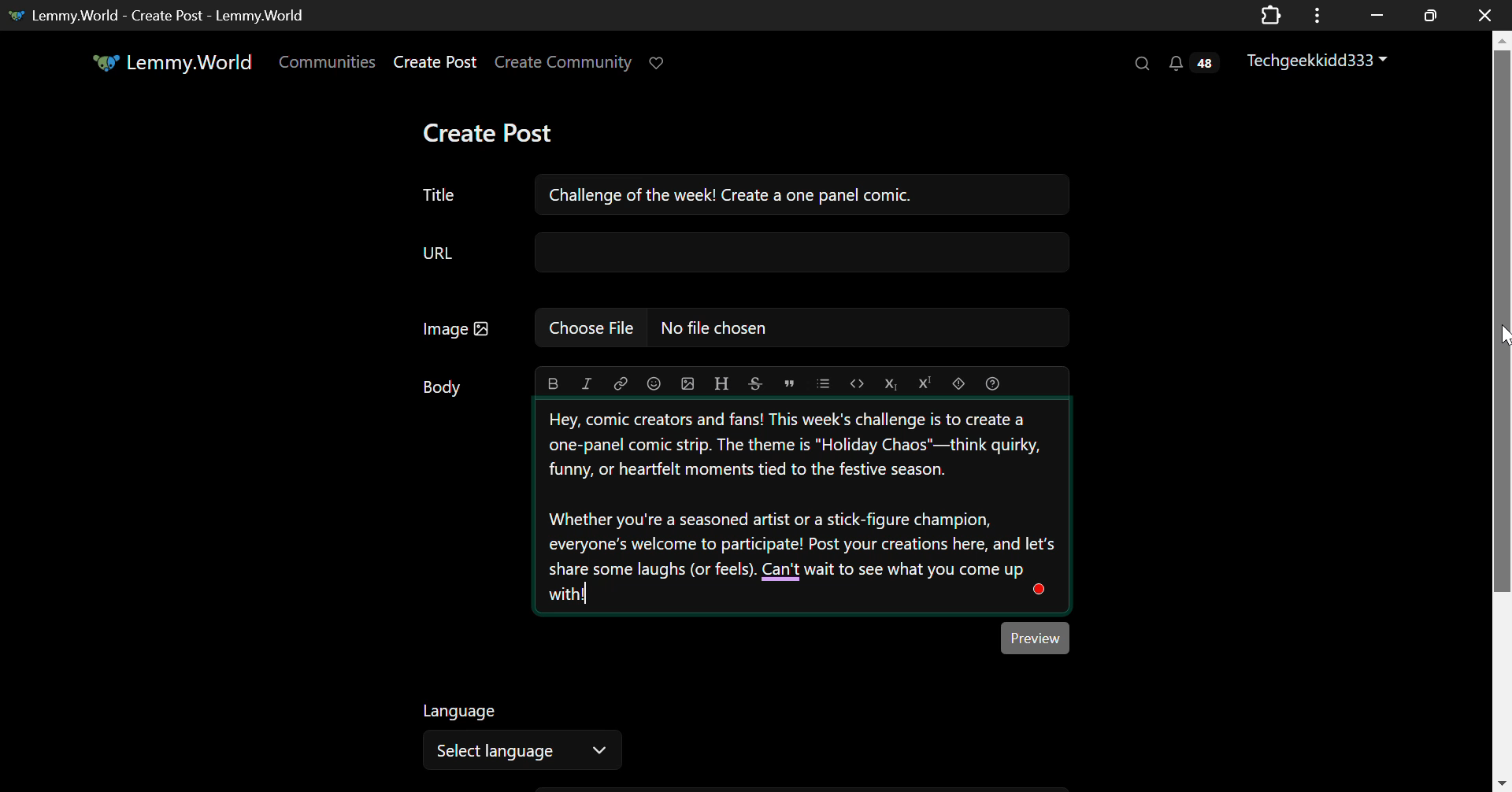 This screenshot has height=792, width=1512. What do you see at coordinates (825, 383) in the screenshot?
I see `list` at bounding box center [825, 383].